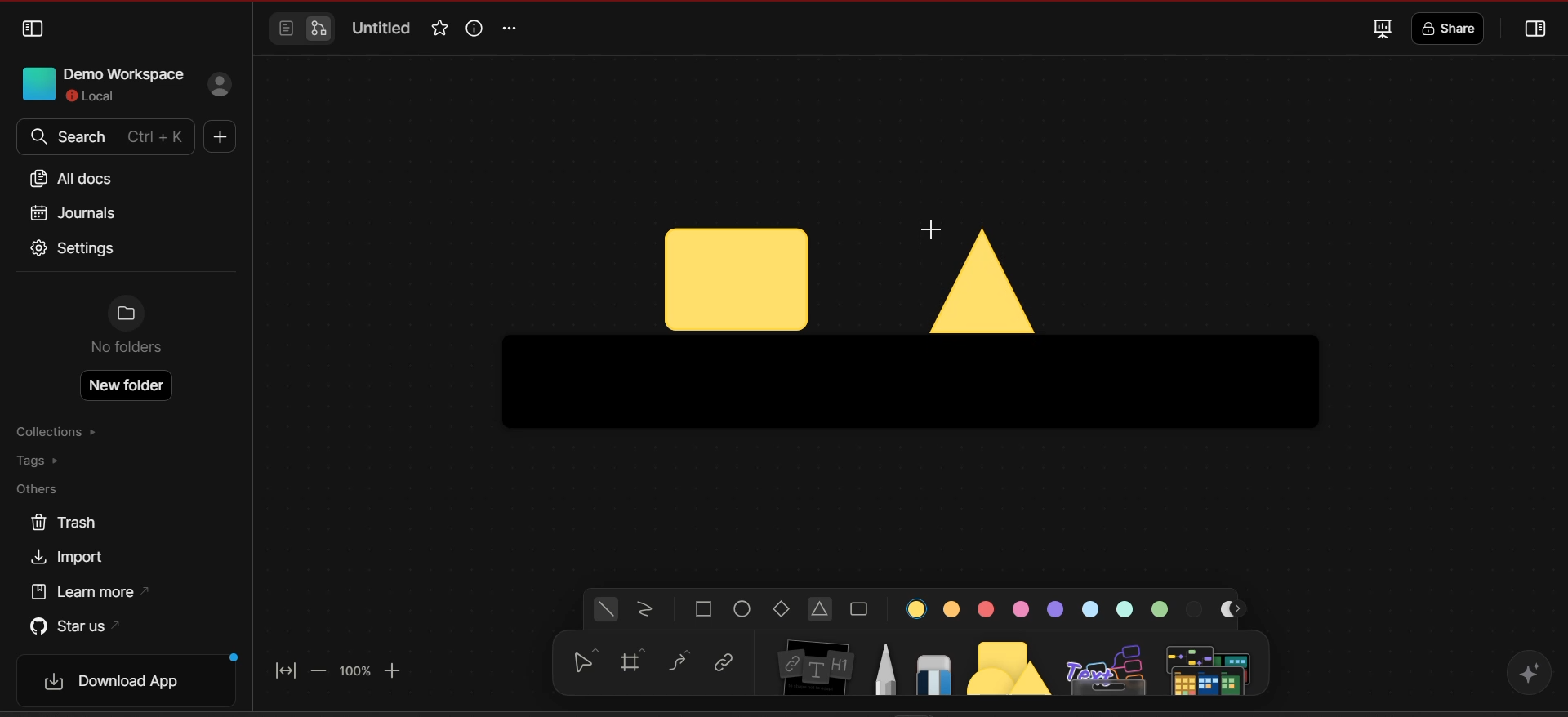  Describe the element at coordinates (319, 670) in the screenshot. I see `zoom out` at that location.